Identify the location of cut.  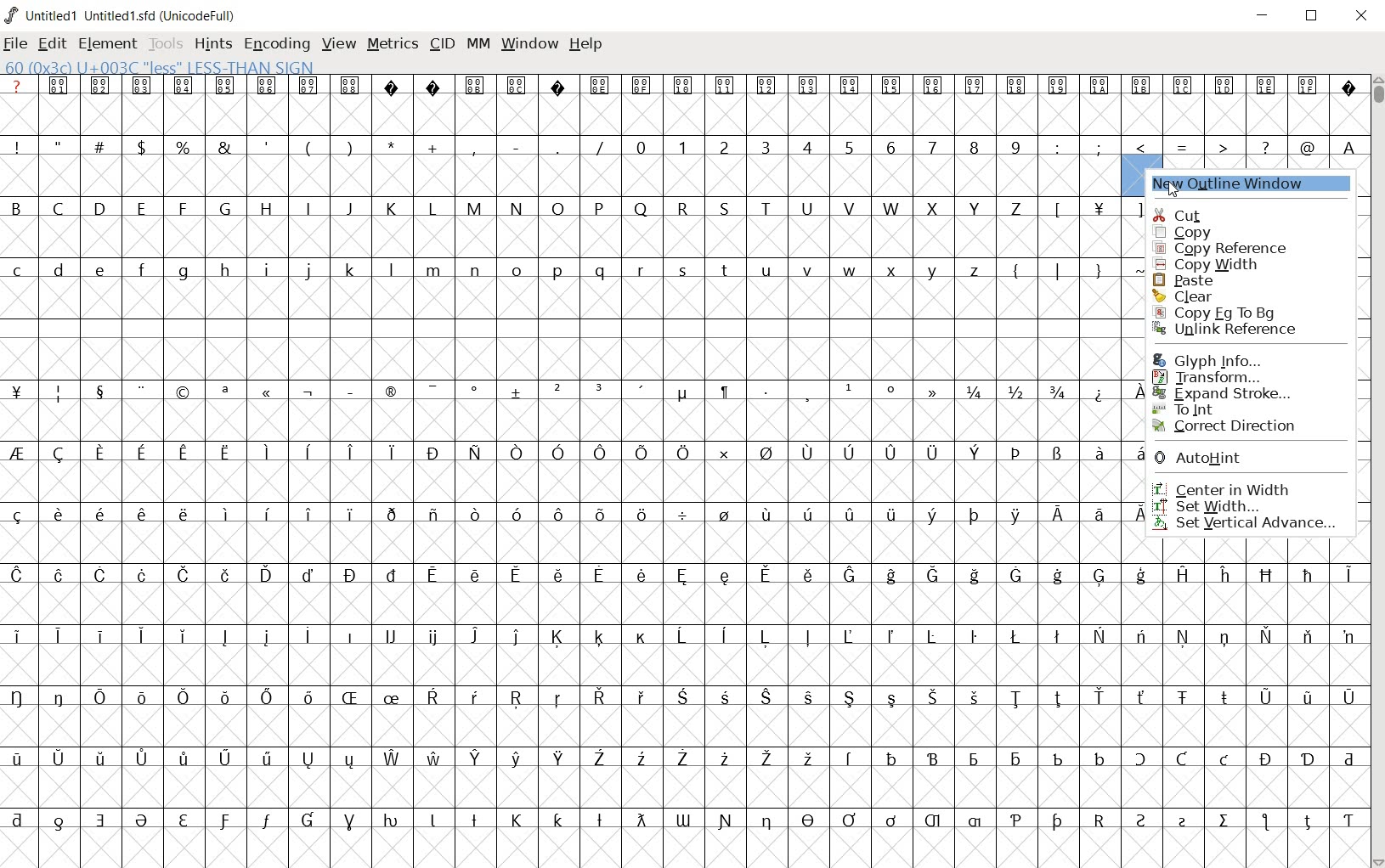
(1253, 210).